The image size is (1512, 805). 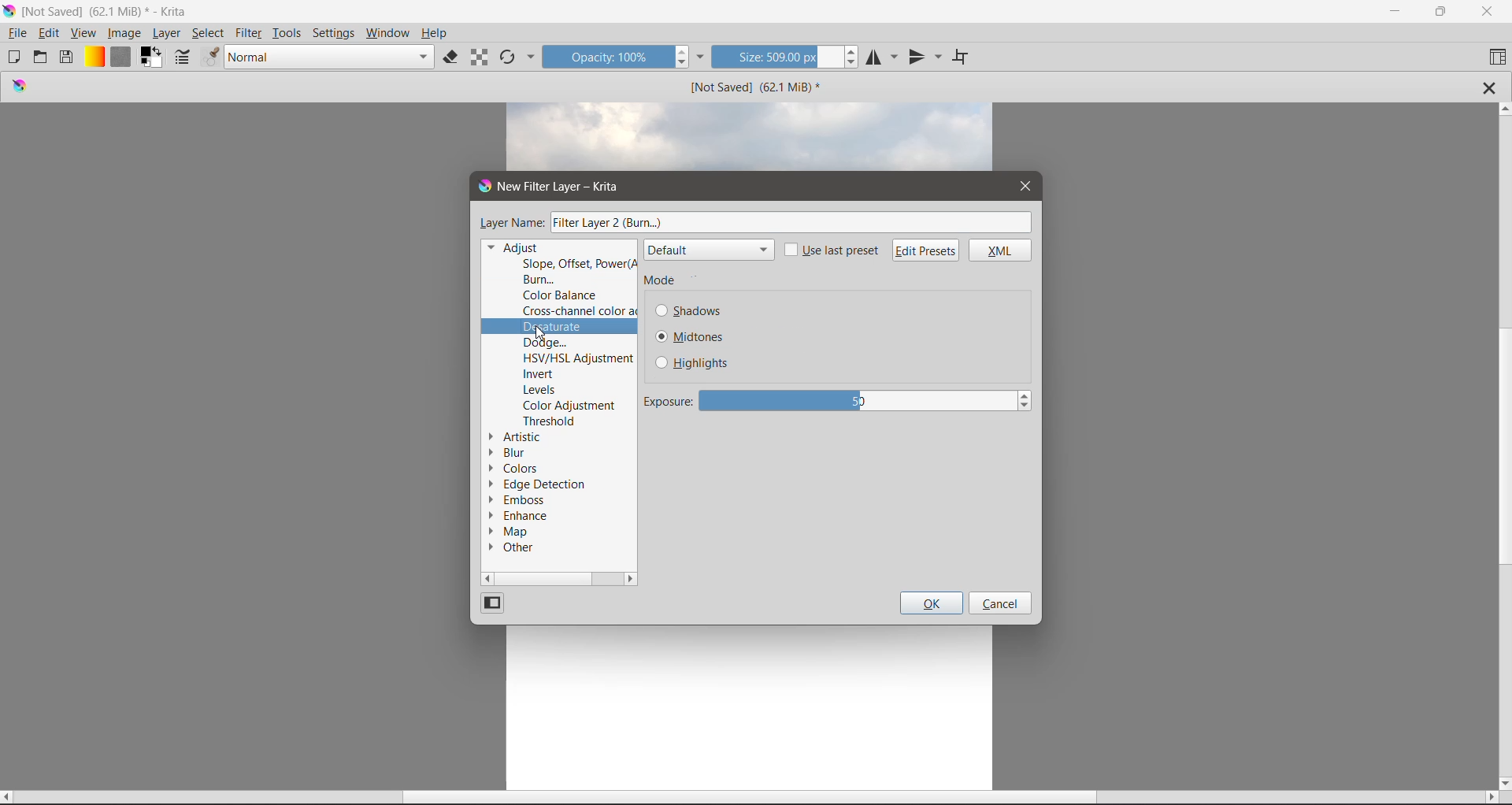 I want to click on Settings, so click(x=334, y=32).